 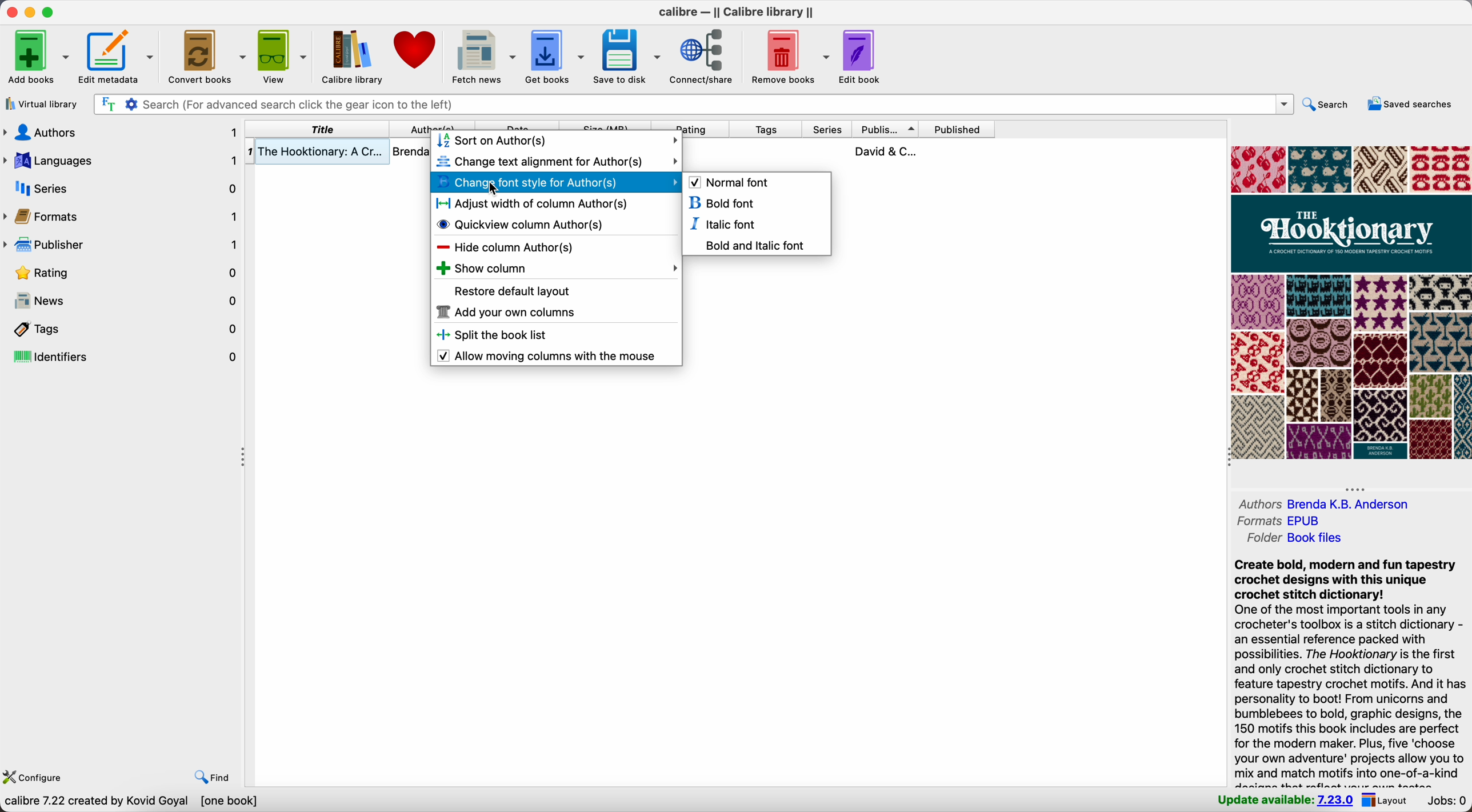 I want to click on change text alignment for author(s), so click(x=557, y=161).